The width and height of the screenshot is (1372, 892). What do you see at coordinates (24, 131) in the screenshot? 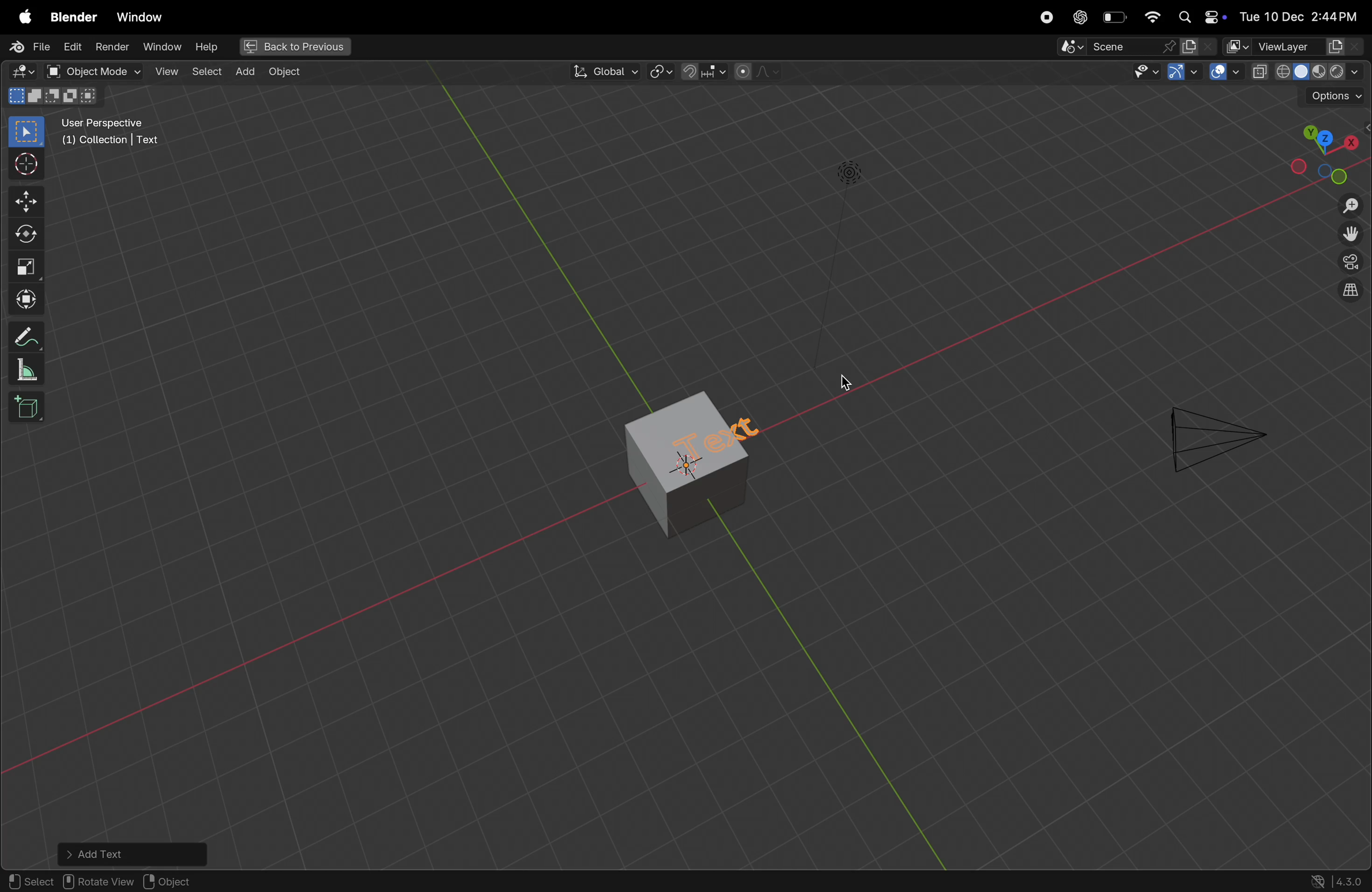
I see `select` at bounding box center [24, 131].